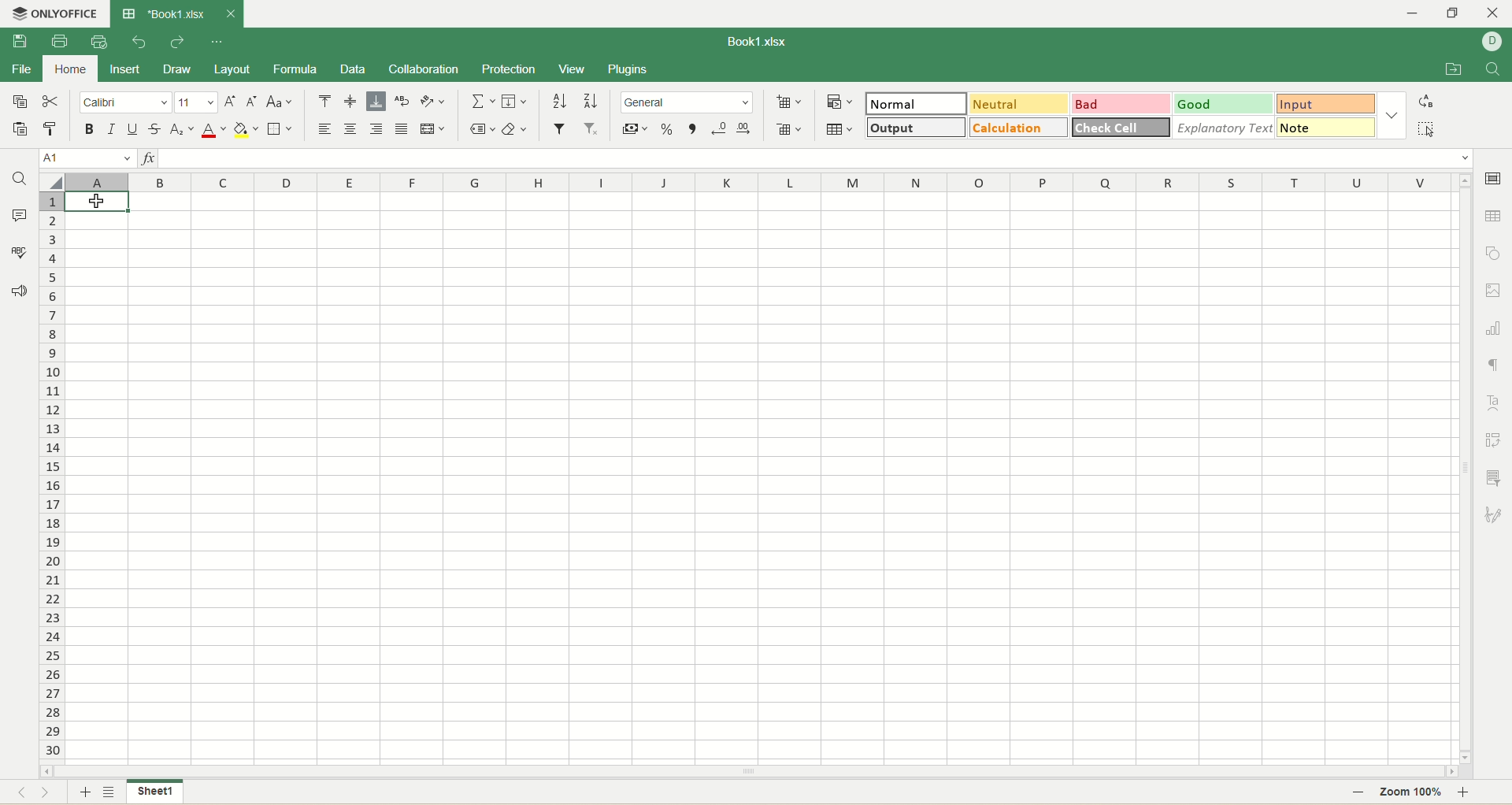 The image size is (1512, 805). I want to click on fill, so click(514, 100).